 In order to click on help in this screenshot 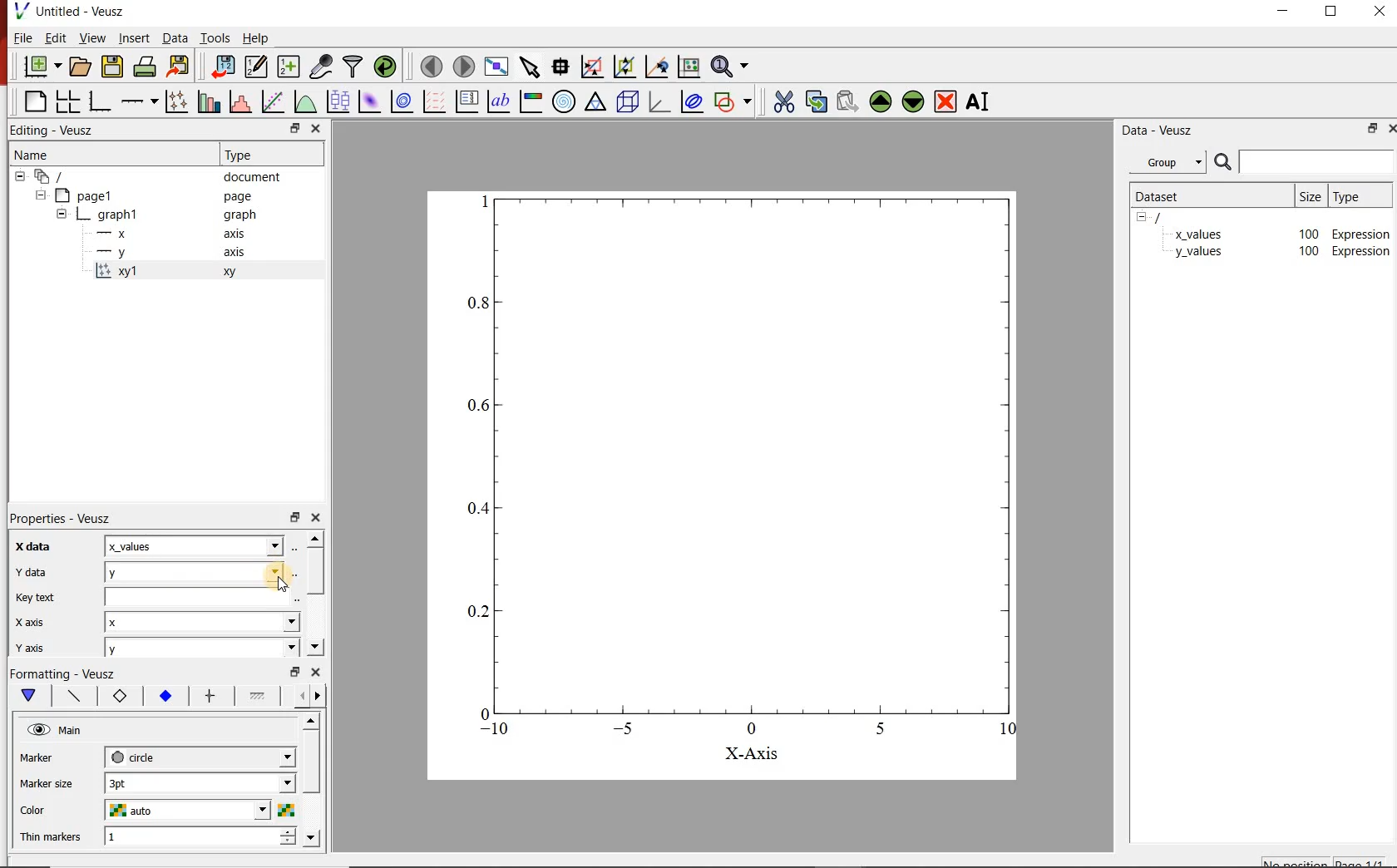, I will do `click(260, 37)`.